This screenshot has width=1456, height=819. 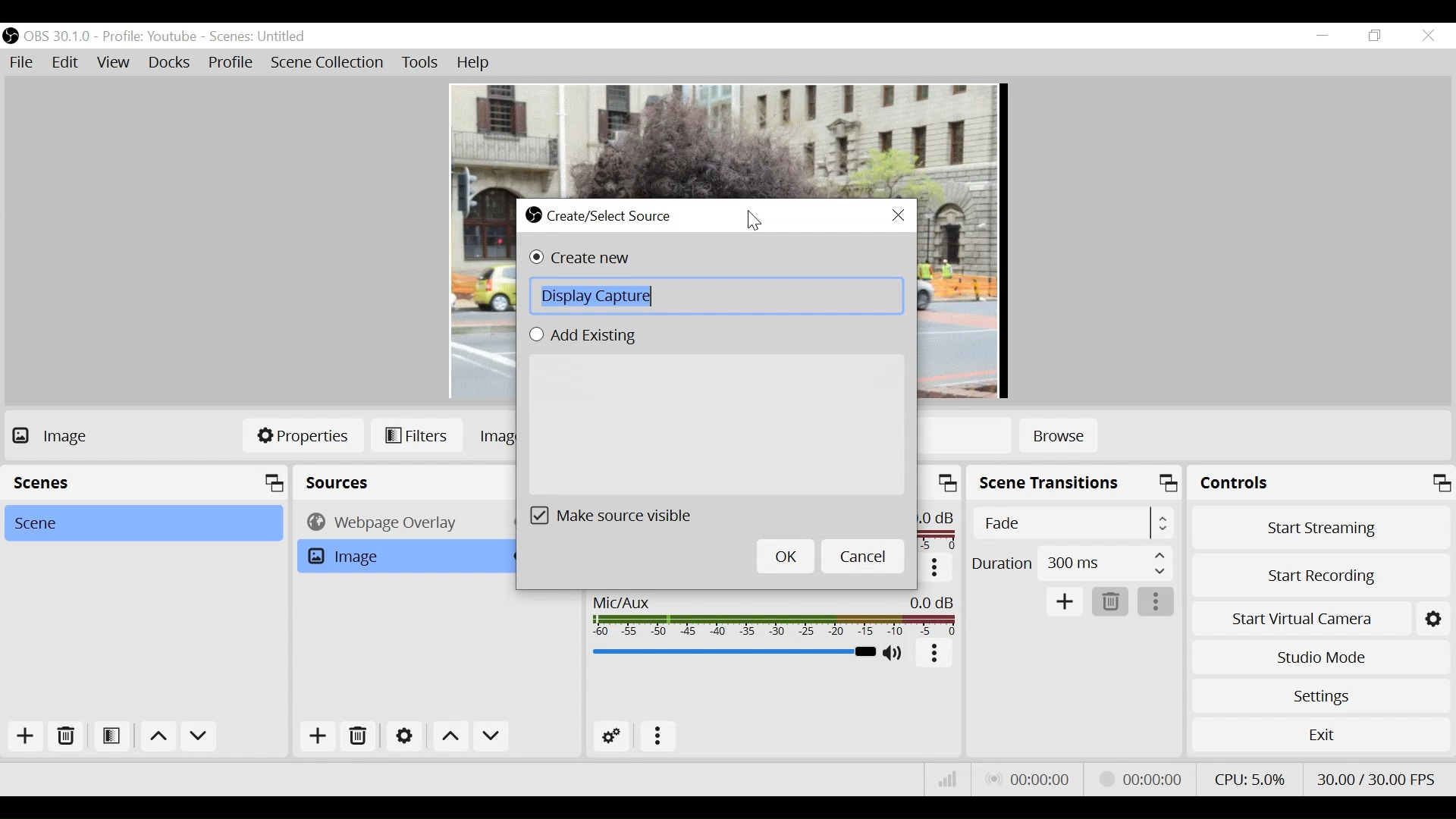 I want to click on OBS Version, so click(x=58, y=37).